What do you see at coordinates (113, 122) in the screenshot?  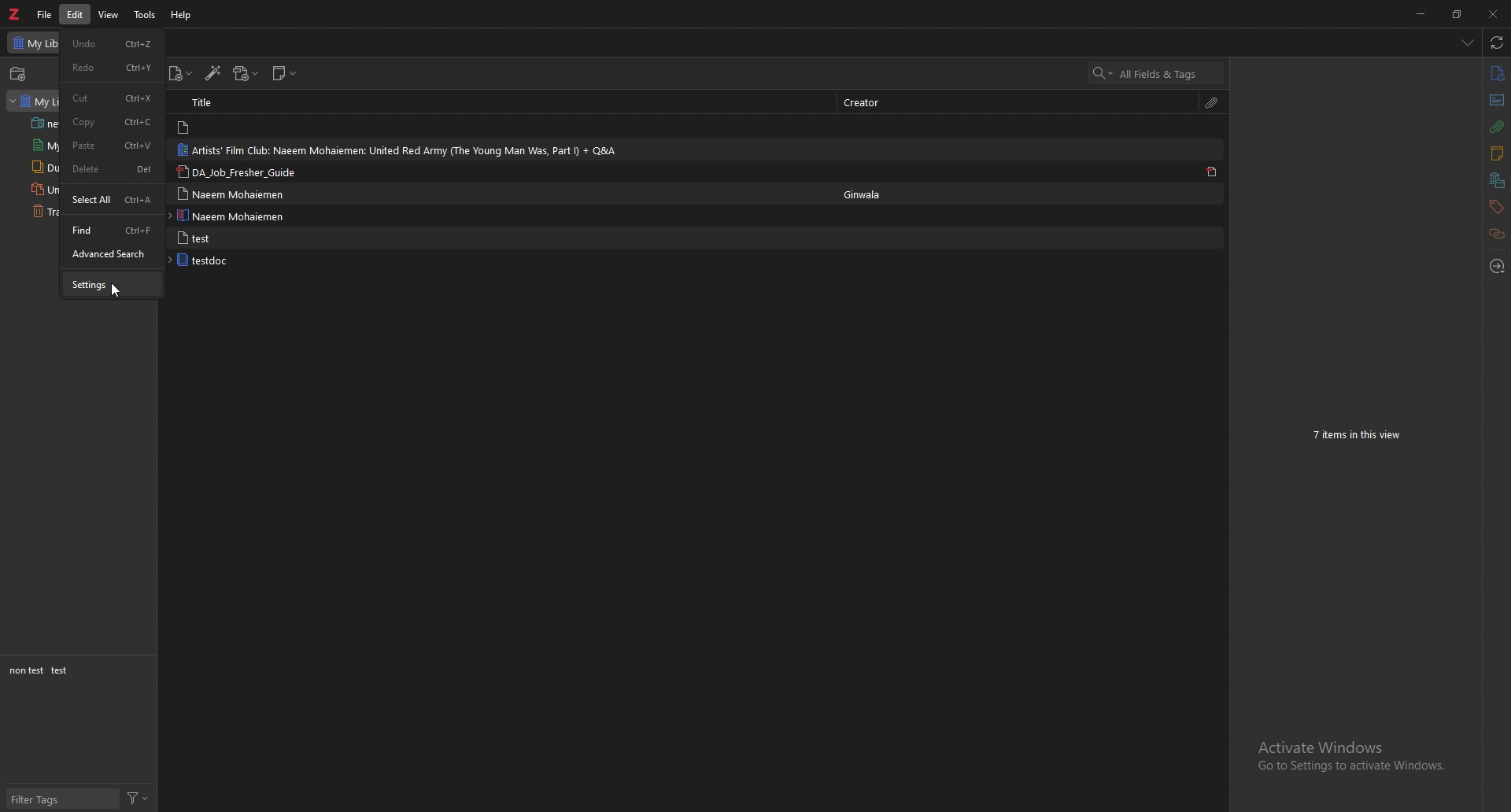 I see `copy` at bounding box center [113, 122].